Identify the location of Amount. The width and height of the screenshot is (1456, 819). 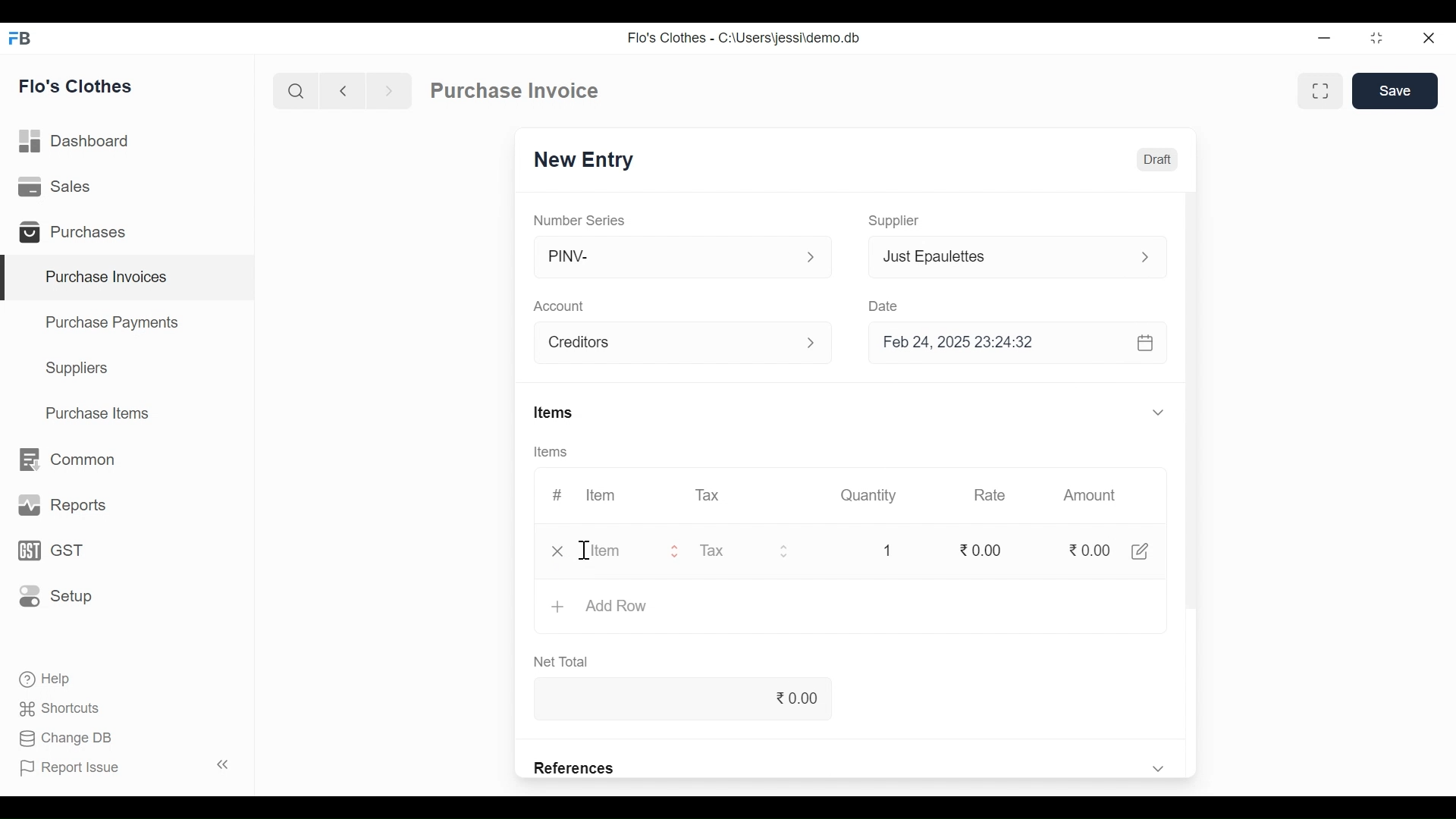
(1090, 495).